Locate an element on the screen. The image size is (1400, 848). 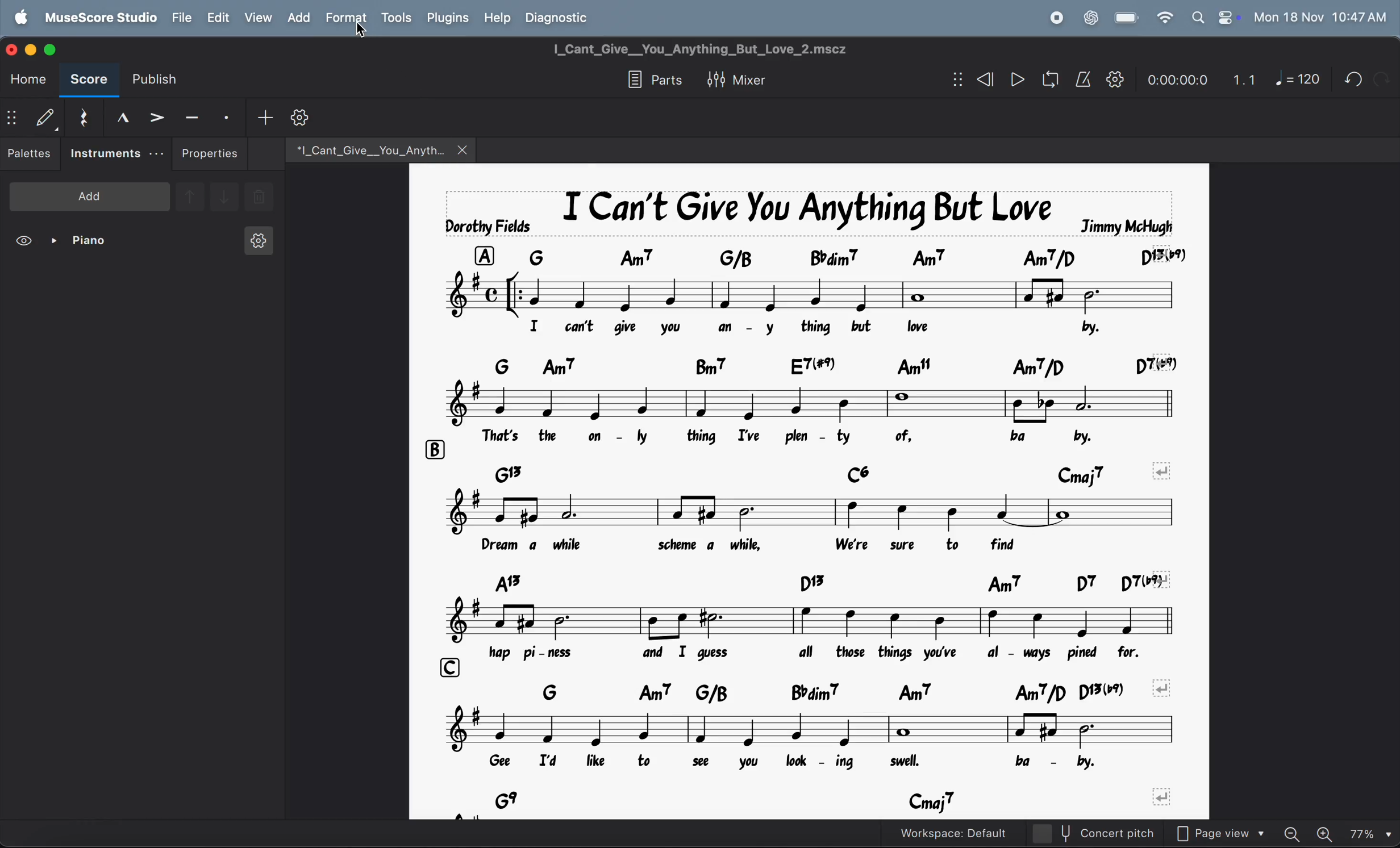
palettes is located at coordinates (31, 156).